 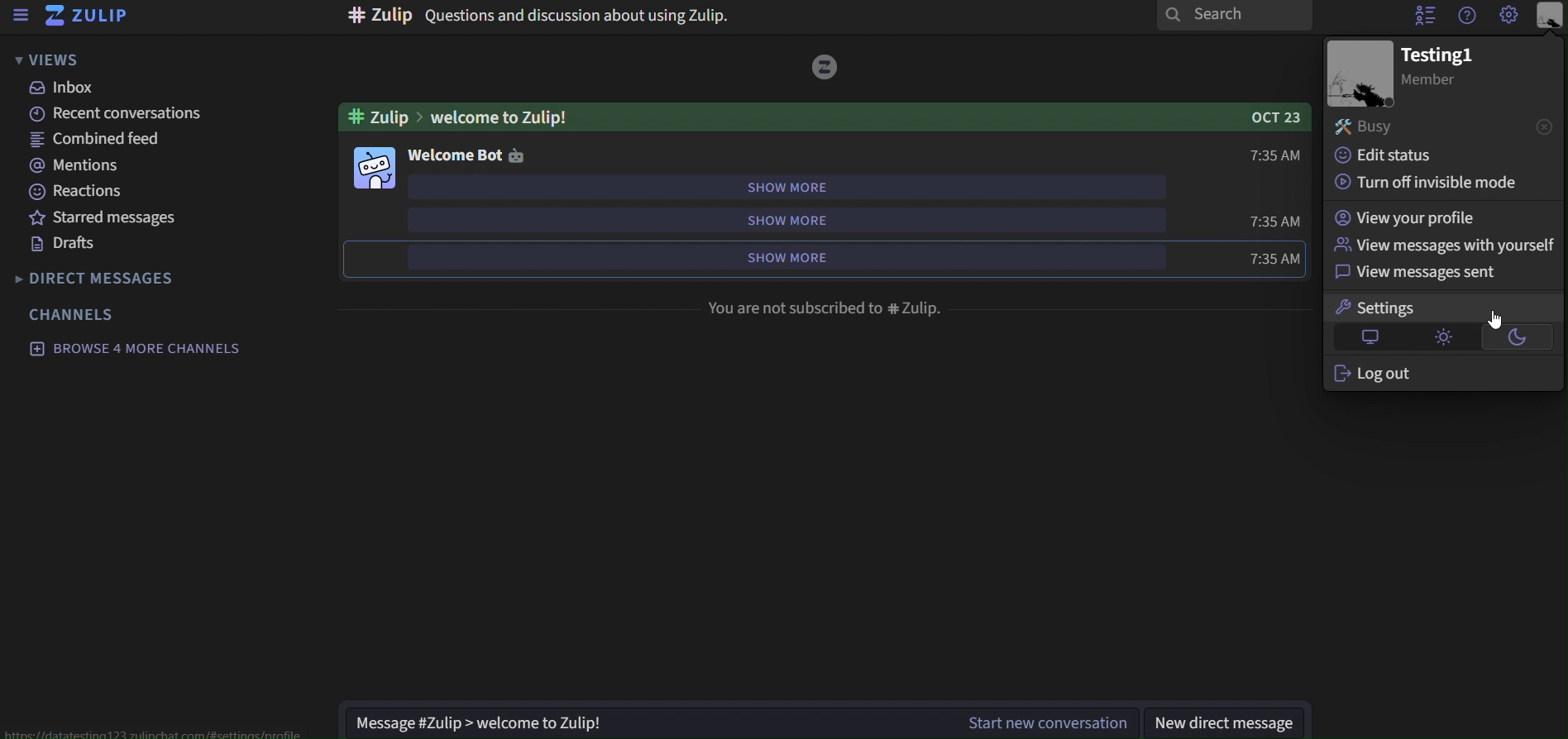 I want to click on Member, so click(x=1440, y=81).